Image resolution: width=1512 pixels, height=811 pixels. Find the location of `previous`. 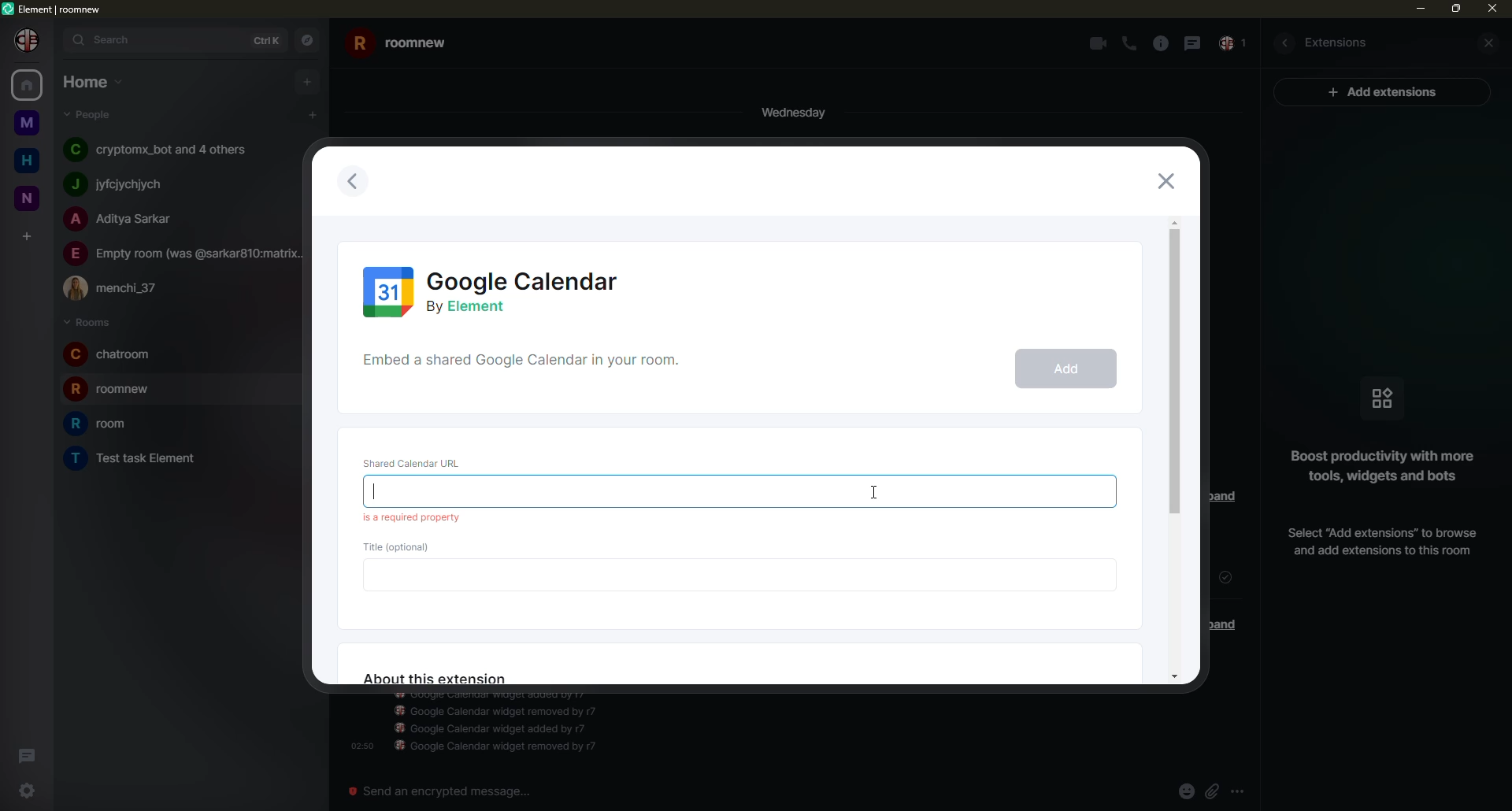

previous is located at coordinates (358, 183).